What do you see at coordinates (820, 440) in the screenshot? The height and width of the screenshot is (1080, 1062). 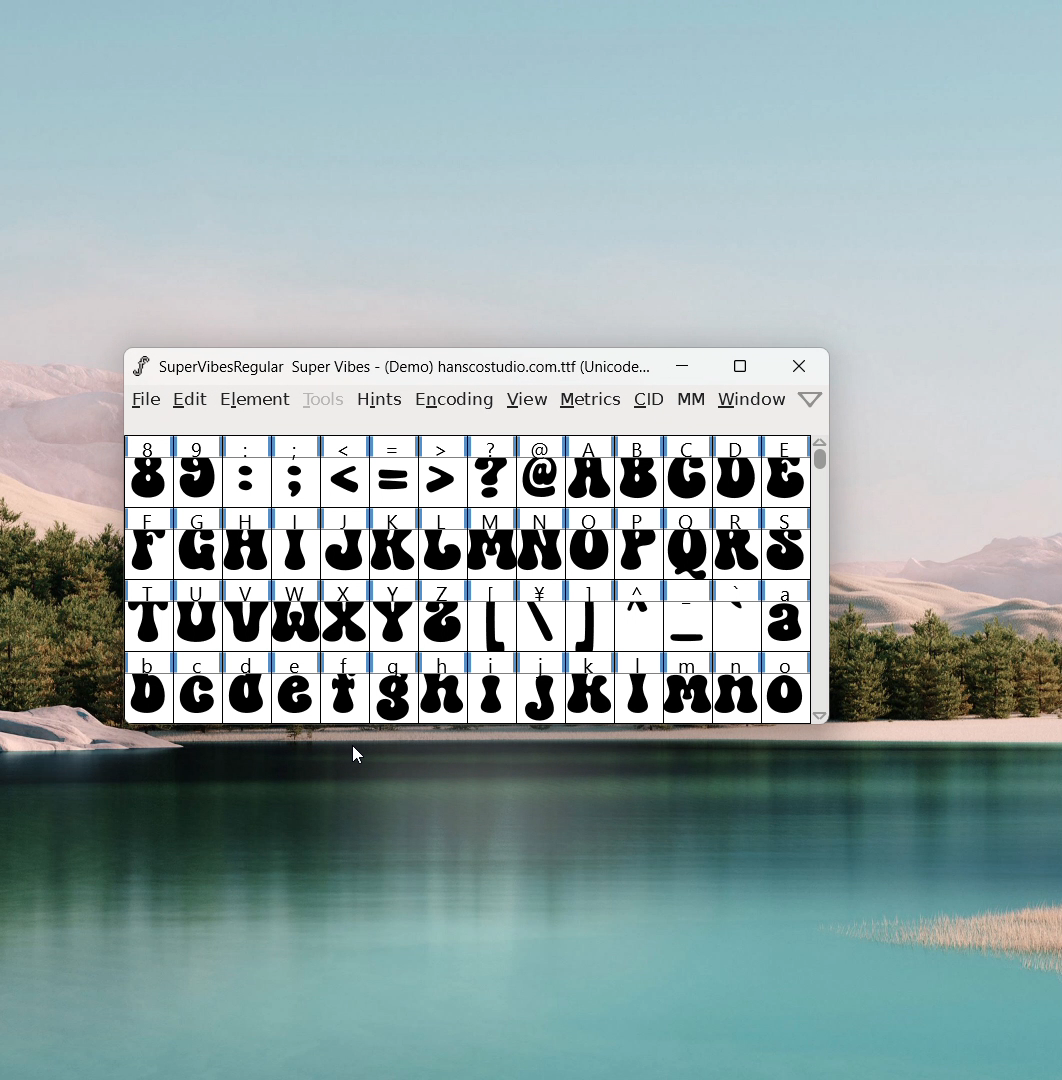 I see `scroll up` at bounding box center [820, 440].